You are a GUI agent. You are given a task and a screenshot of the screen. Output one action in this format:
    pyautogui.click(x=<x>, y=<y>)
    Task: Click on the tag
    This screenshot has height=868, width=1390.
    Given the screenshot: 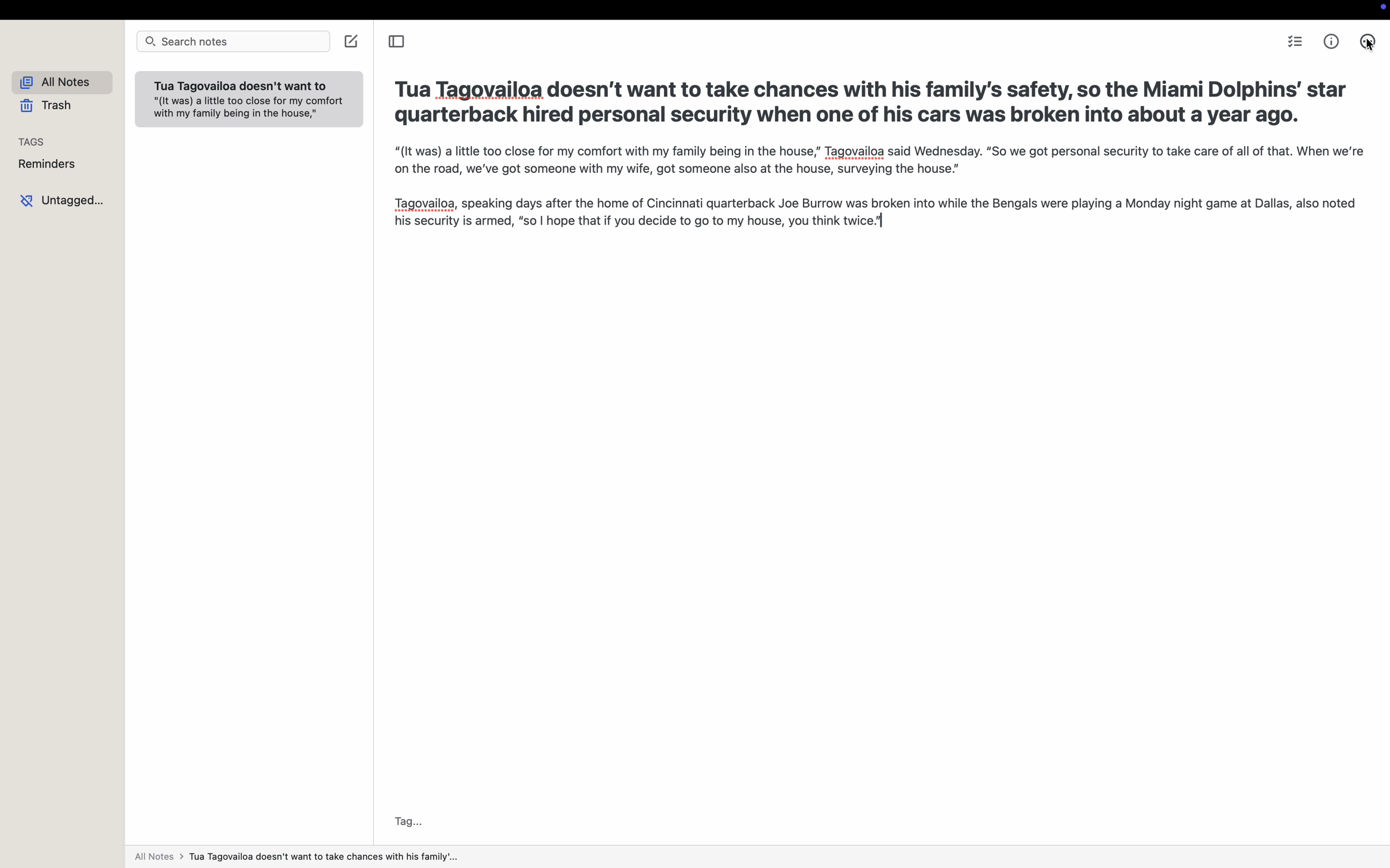 What is the action you would take?
    pyautogui.click(x=408, y=821)
    